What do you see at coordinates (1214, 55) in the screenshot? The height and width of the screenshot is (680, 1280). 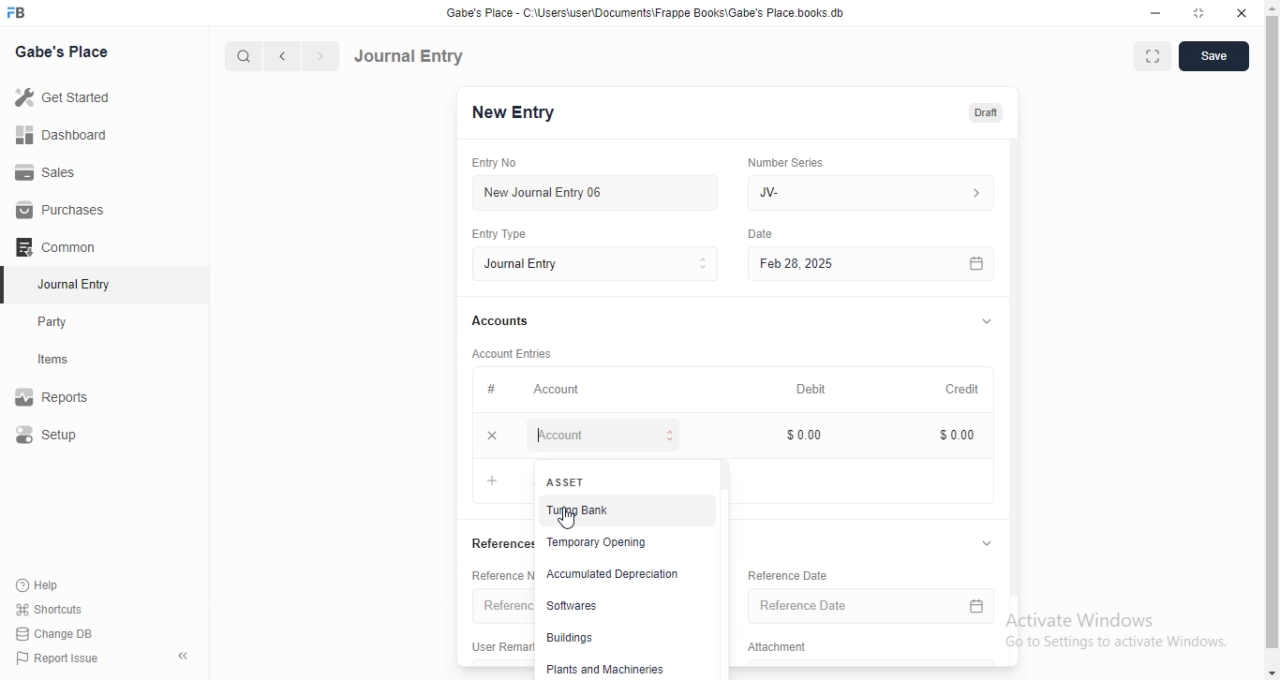 I see `save` at bounding box center [1214, 55].